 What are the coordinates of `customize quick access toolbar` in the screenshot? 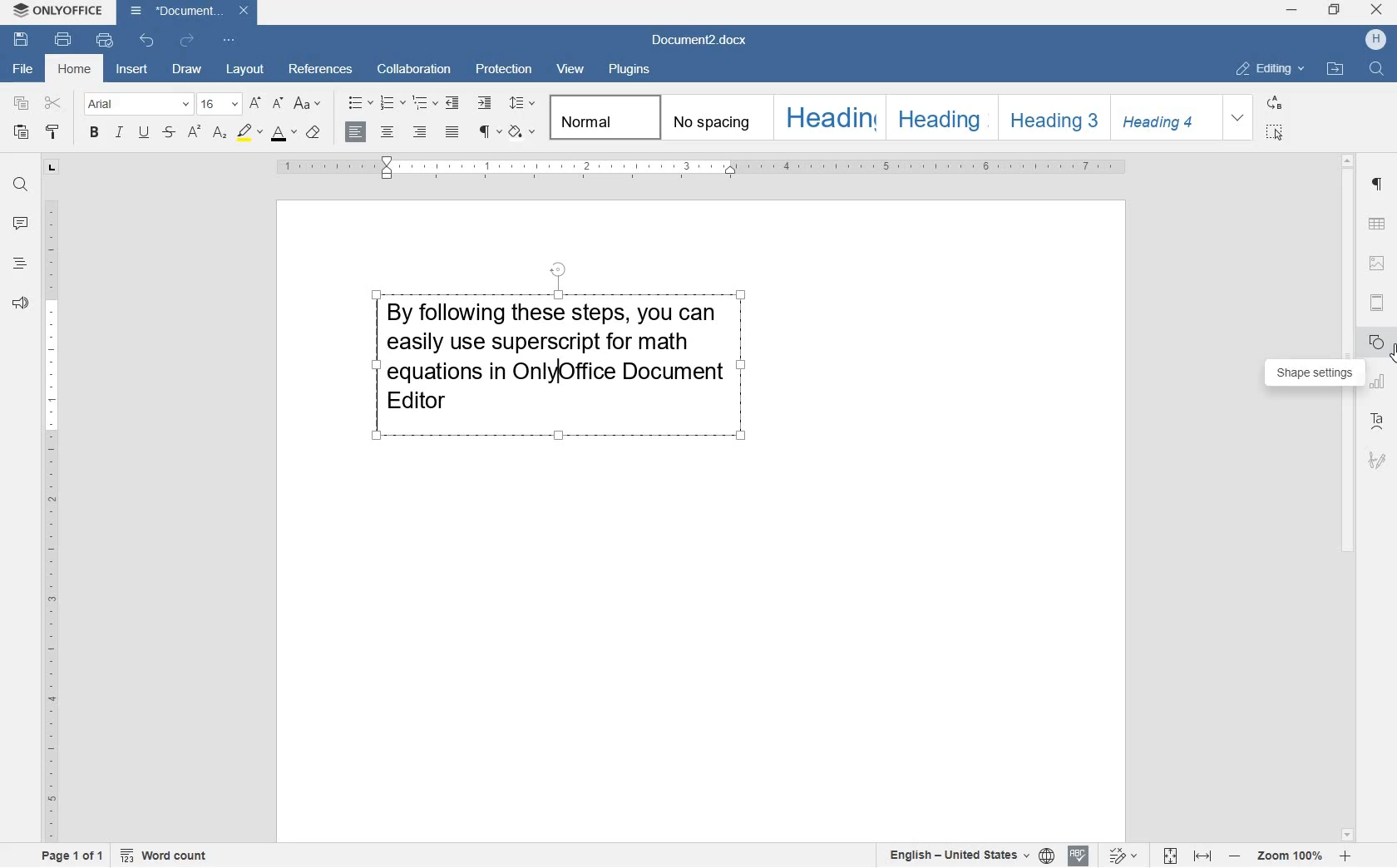 It's located at (230, 41).